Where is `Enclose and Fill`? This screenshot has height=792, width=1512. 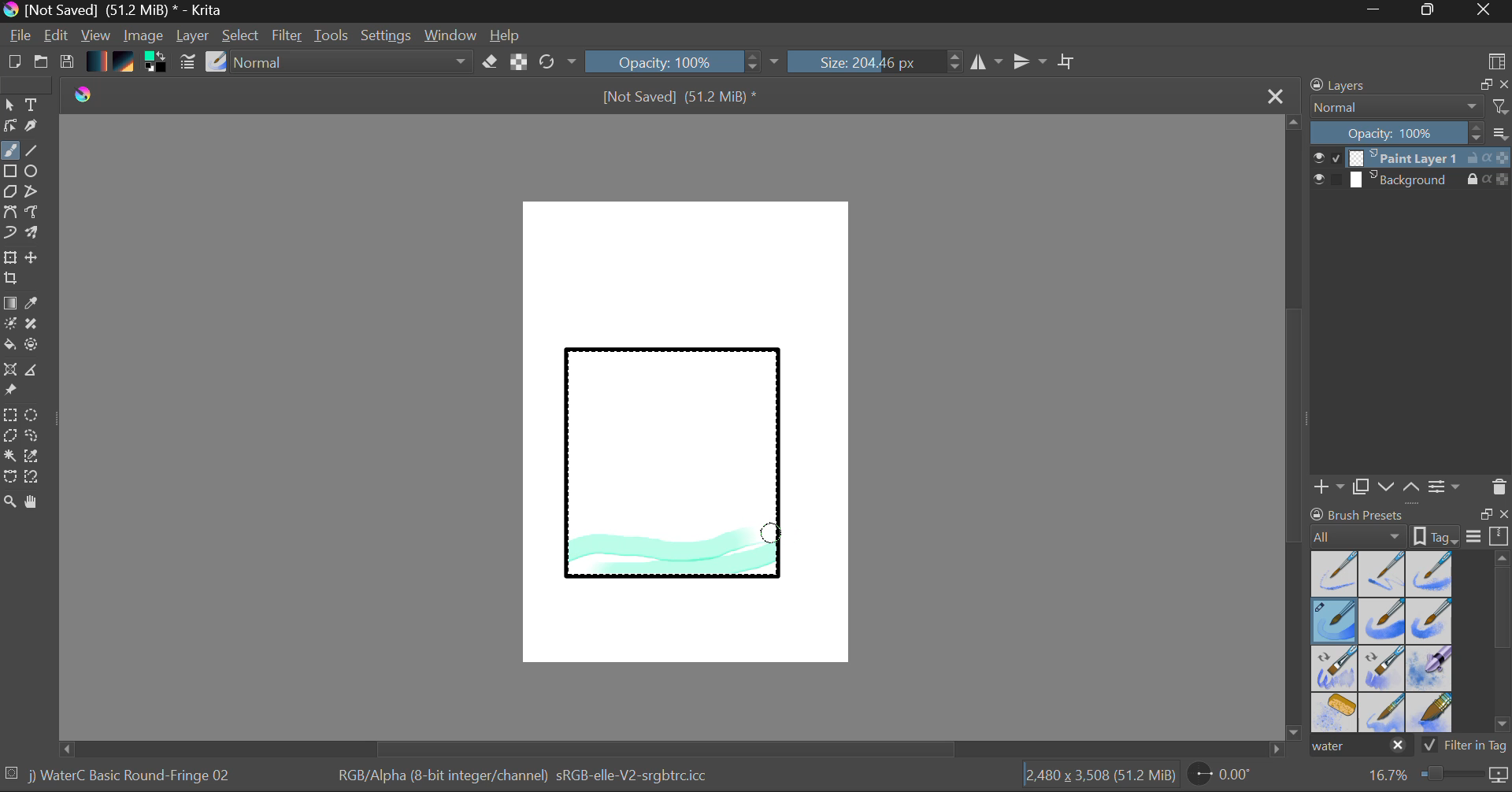
Enclose and Fill is located at coordinates (35, 346).